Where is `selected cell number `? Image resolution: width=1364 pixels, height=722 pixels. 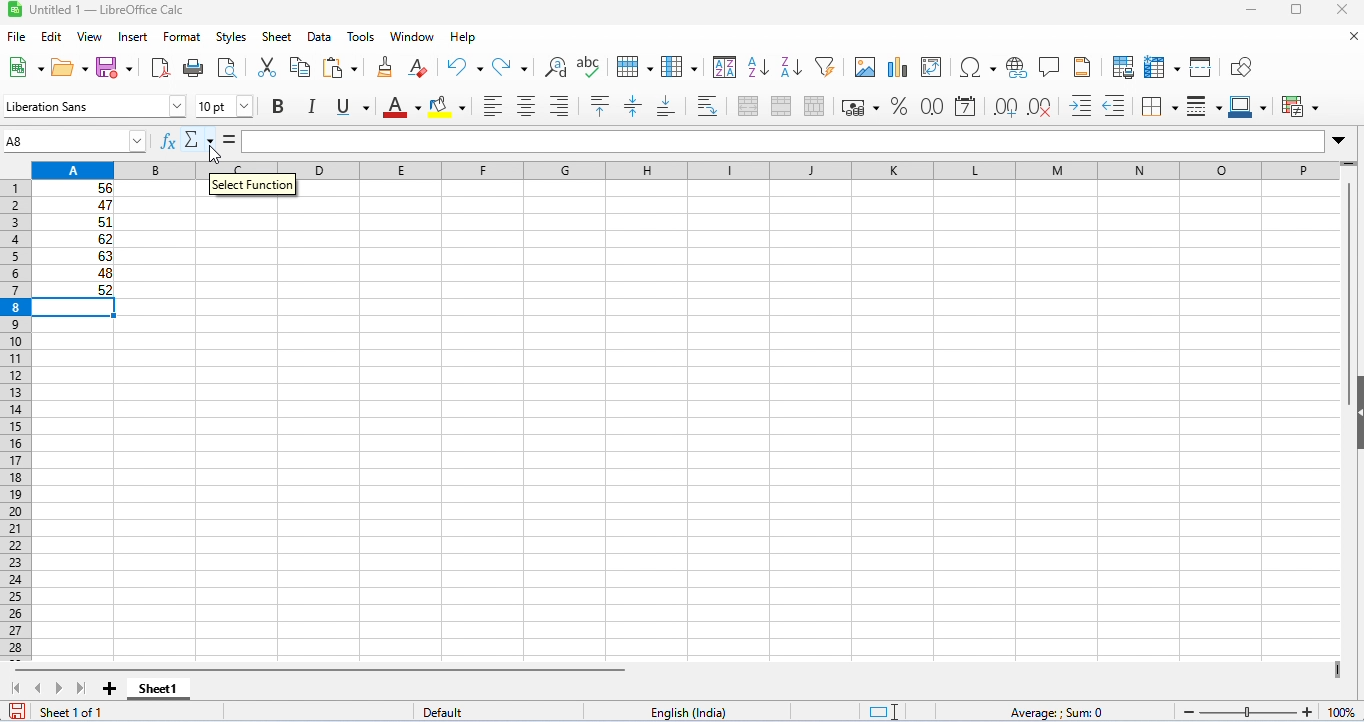 selected cell number  is located at coordinates (59, 141).